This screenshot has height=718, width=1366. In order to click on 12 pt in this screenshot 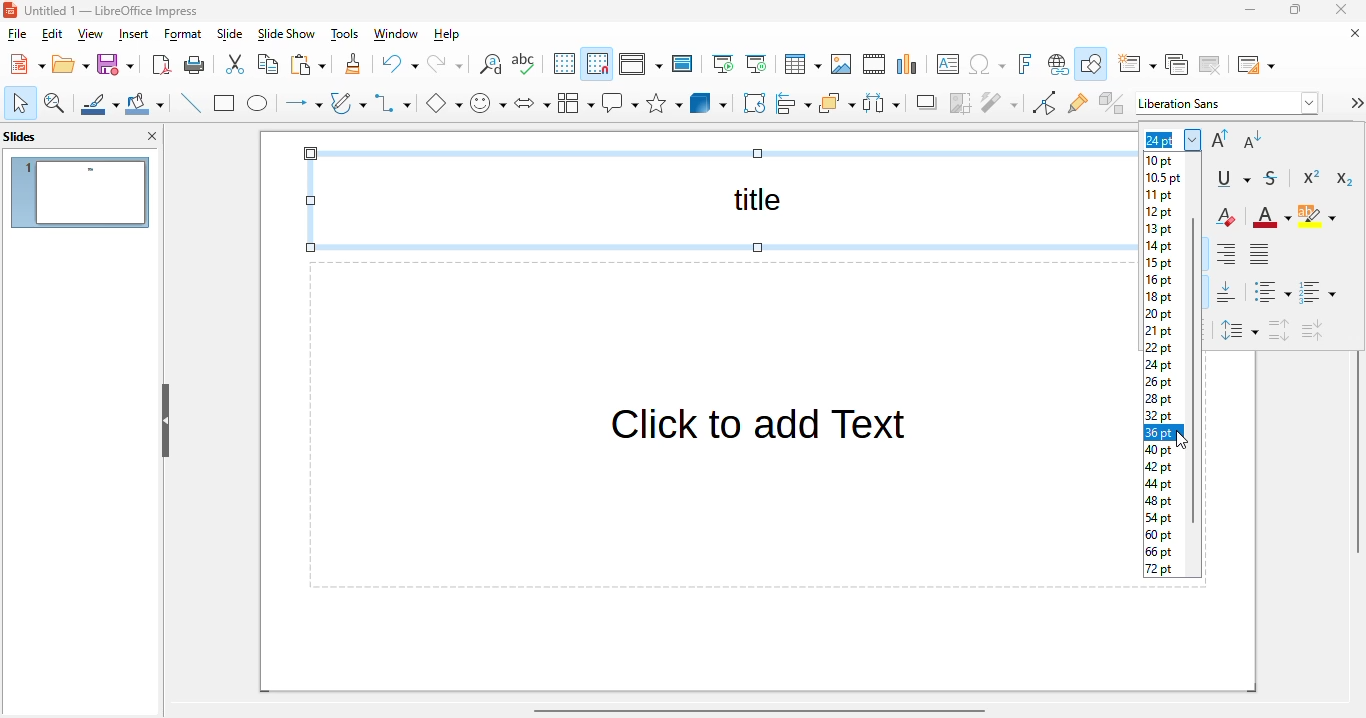, I will do `click(1159, 213)`.